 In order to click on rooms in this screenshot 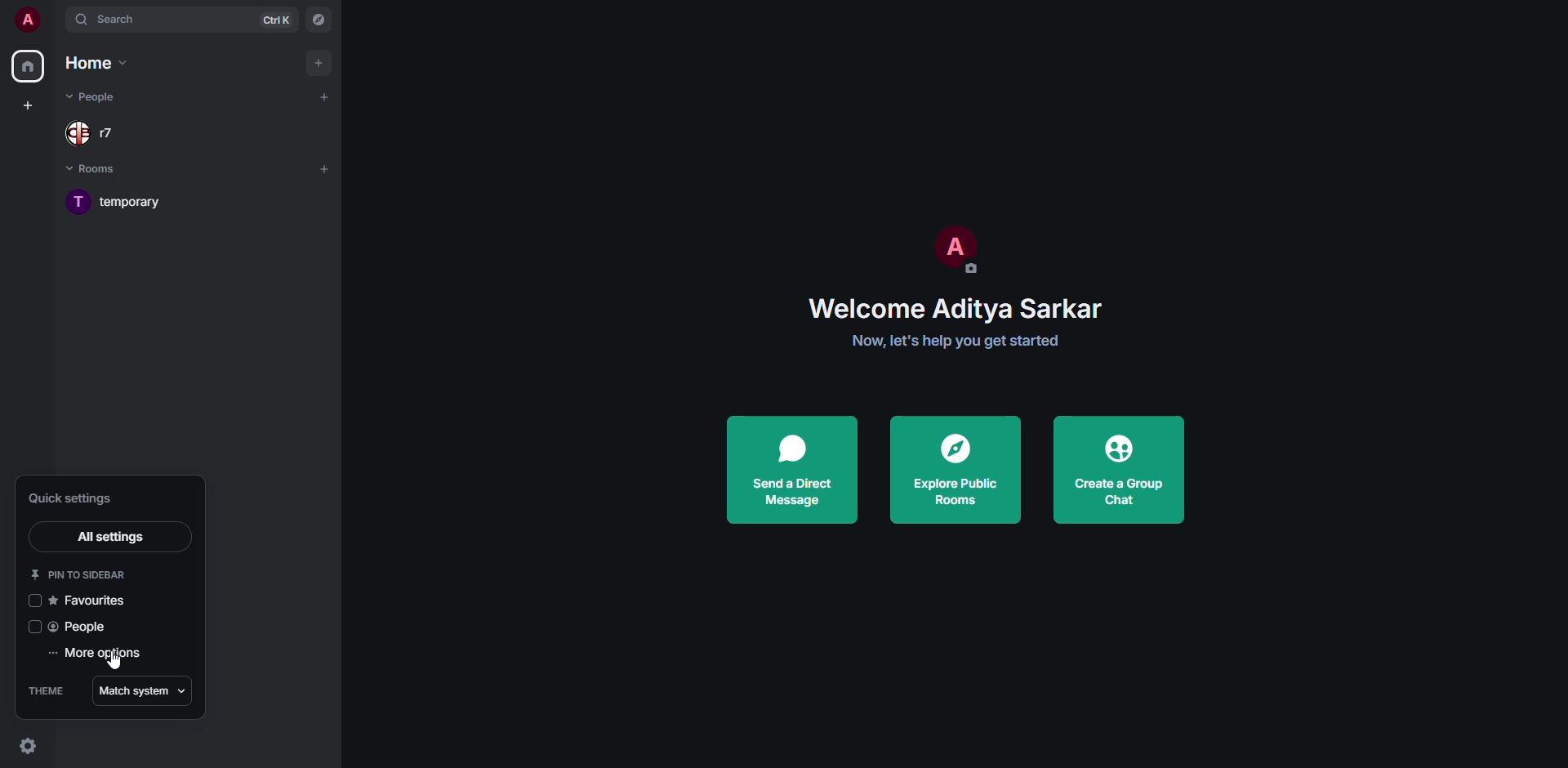, I will do `click(101, 171)`.